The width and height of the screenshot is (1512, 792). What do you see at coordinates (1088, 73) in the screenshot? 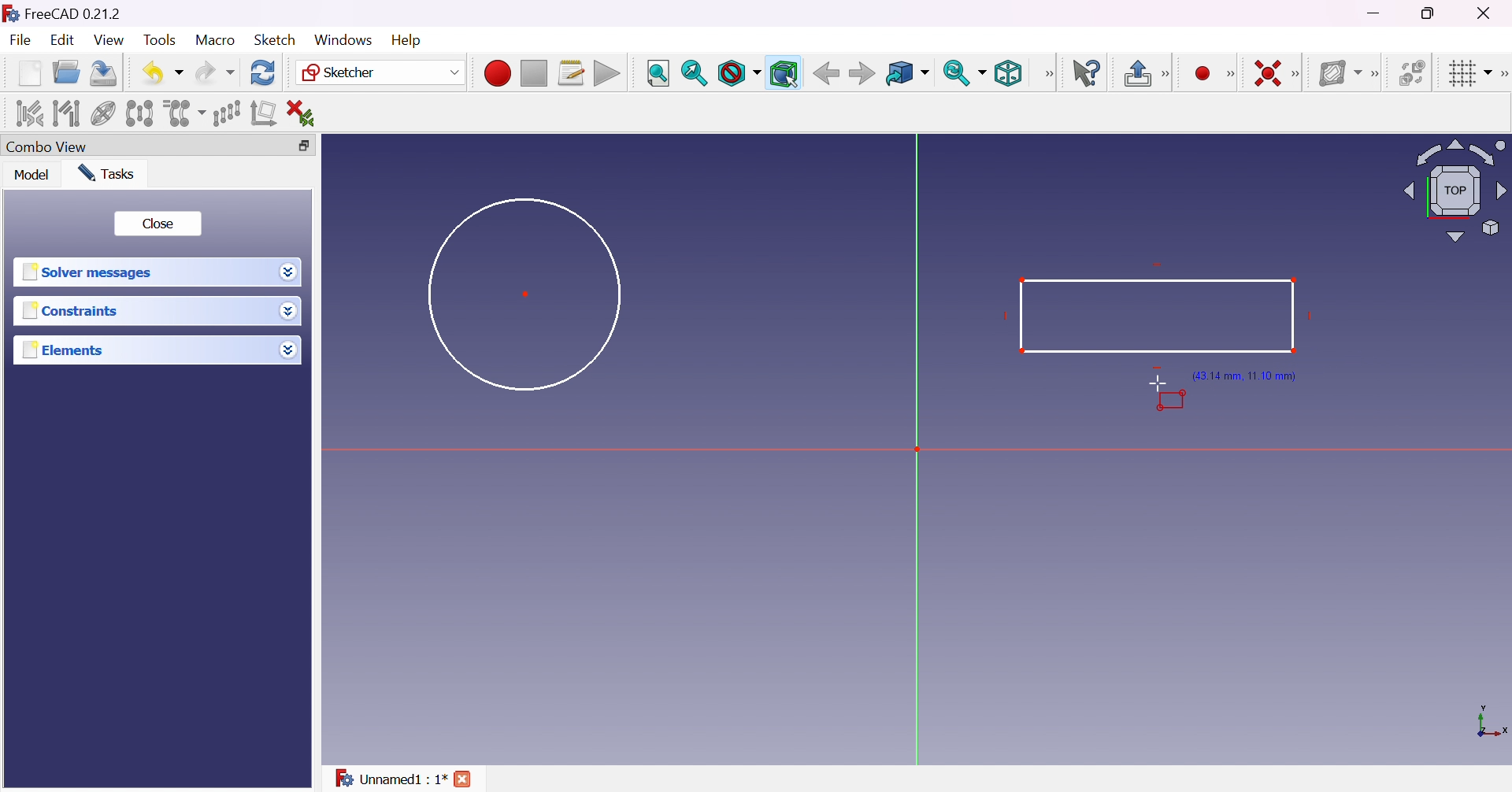
I see `What's this?` at bounding box center [1088, 73].